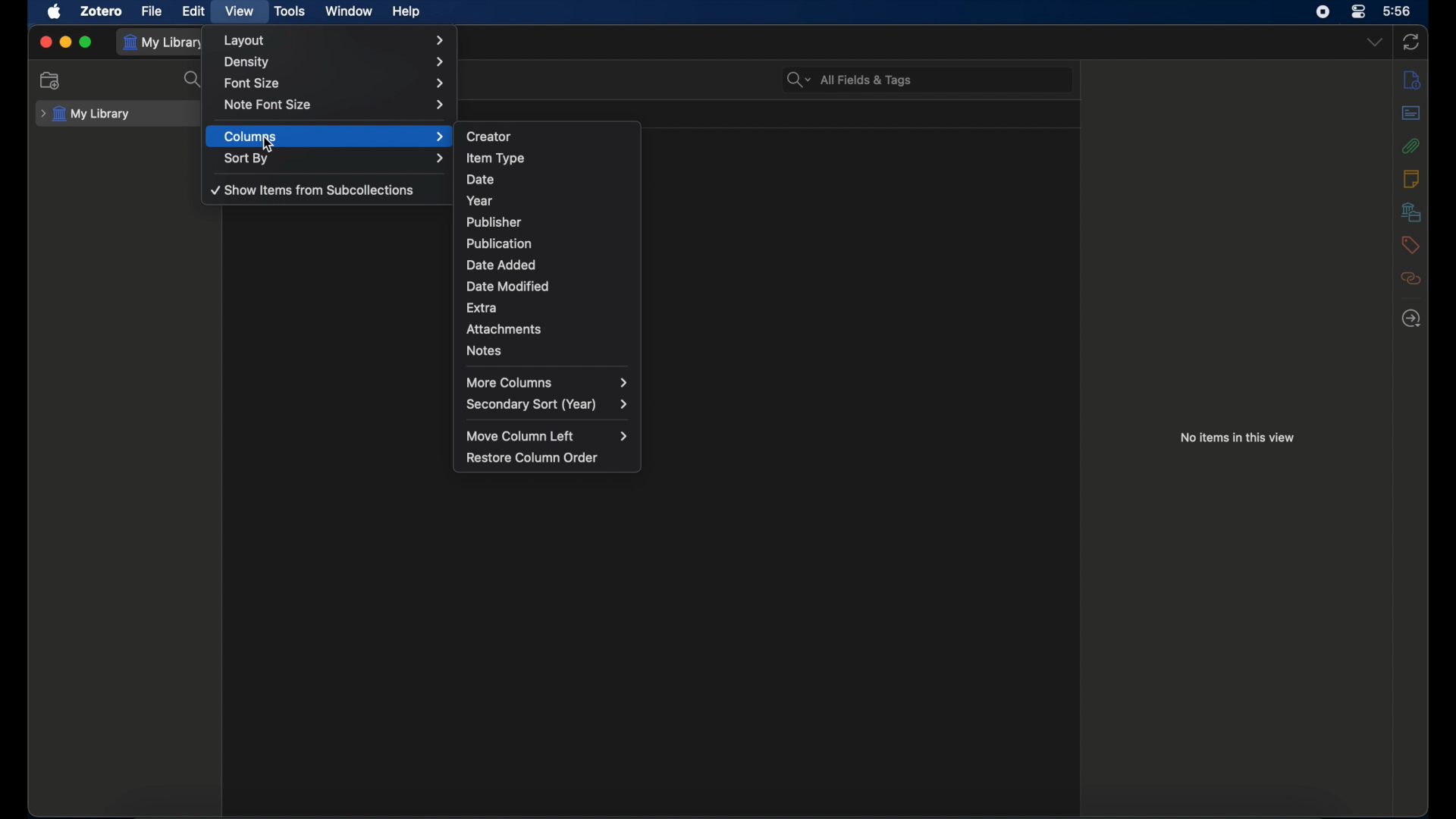  I want to click on minimize, so click(67, 42).